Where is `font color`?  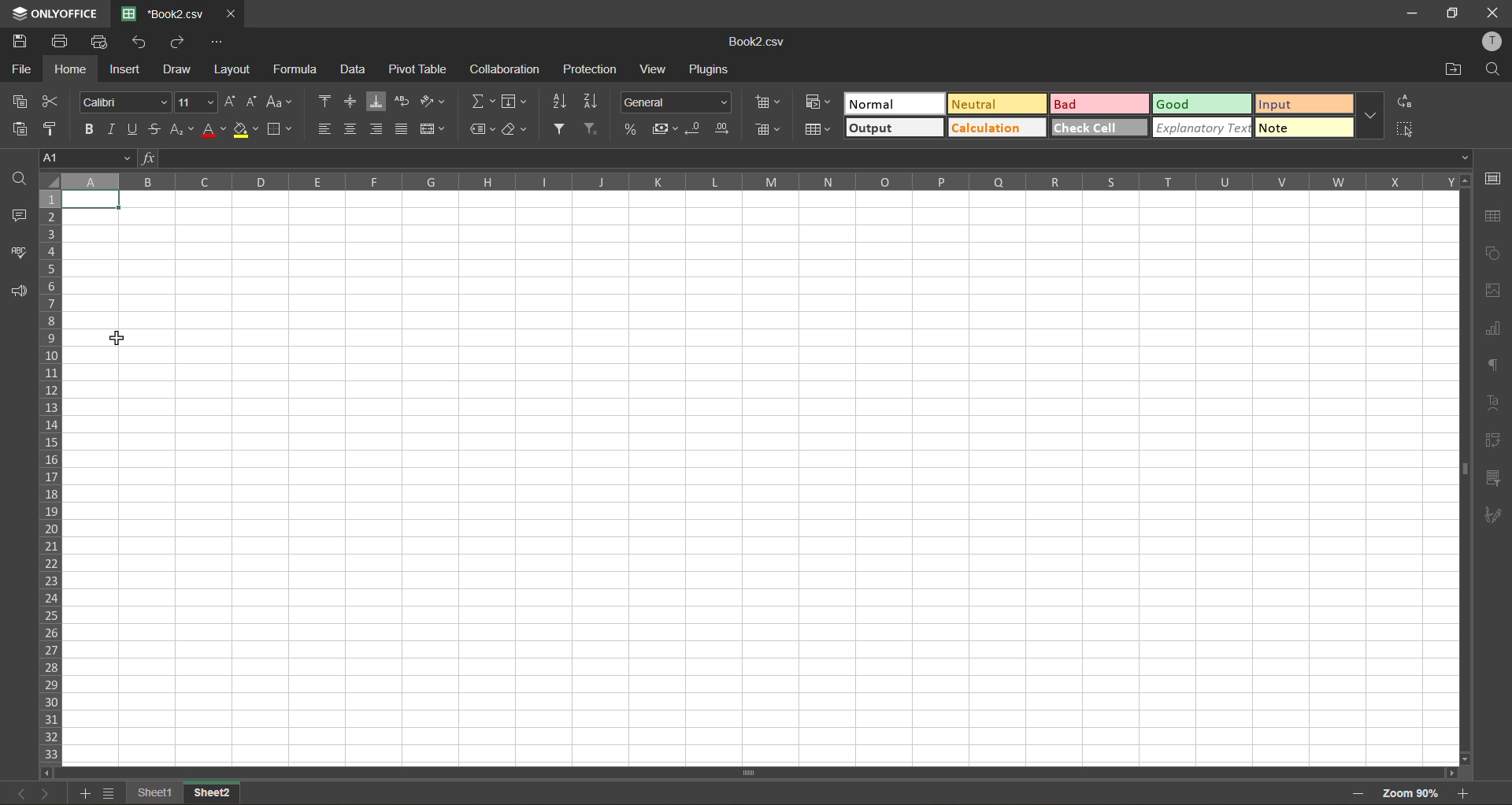 font color is located at coordinates (212, 129).